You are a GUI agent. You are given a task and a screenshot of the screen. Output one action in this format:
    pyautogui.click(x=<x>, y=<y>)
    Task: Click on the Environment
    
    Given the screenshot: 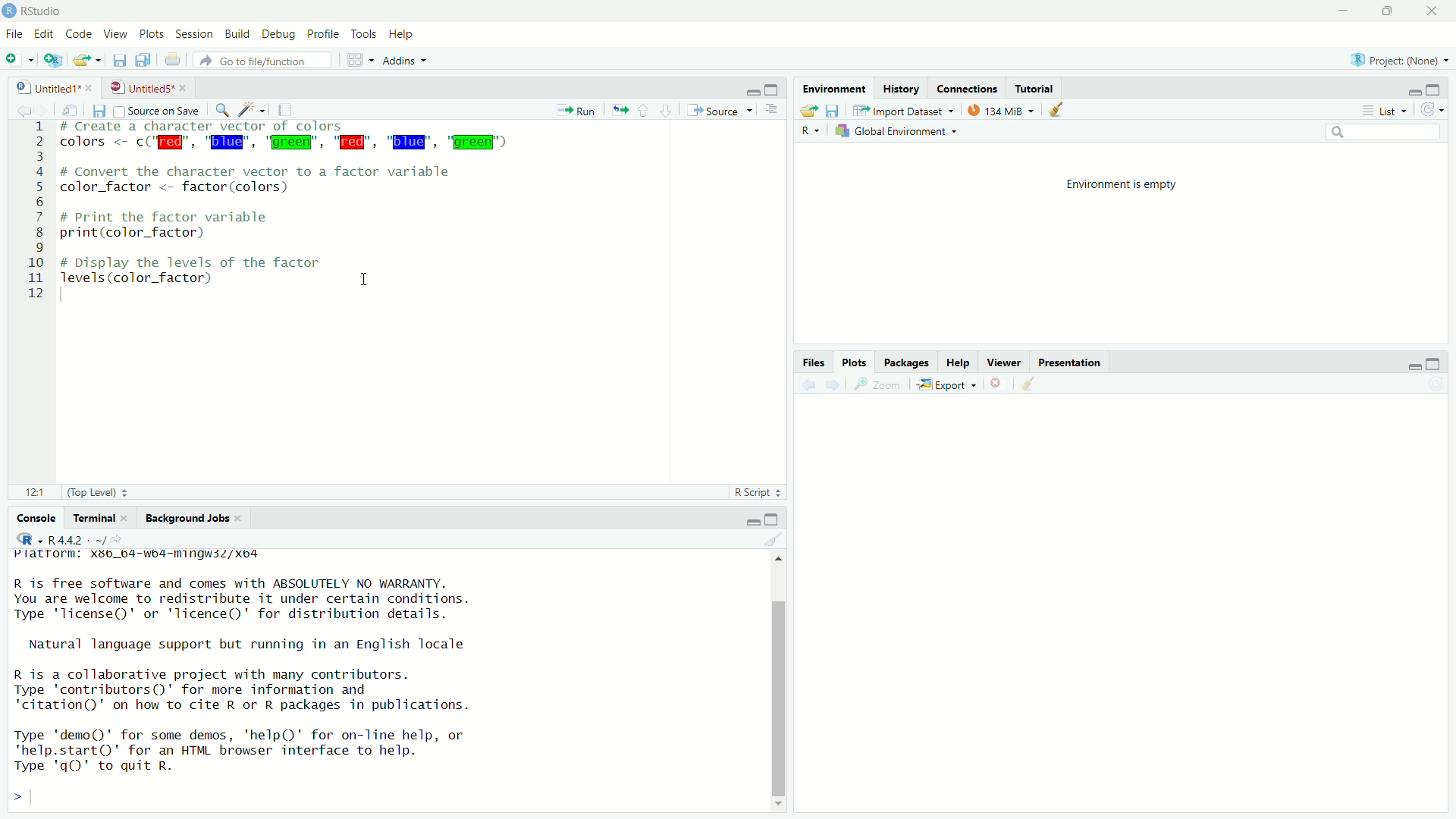 What is the action you would take?
    pyautogui.click(x=836, y=87)
    